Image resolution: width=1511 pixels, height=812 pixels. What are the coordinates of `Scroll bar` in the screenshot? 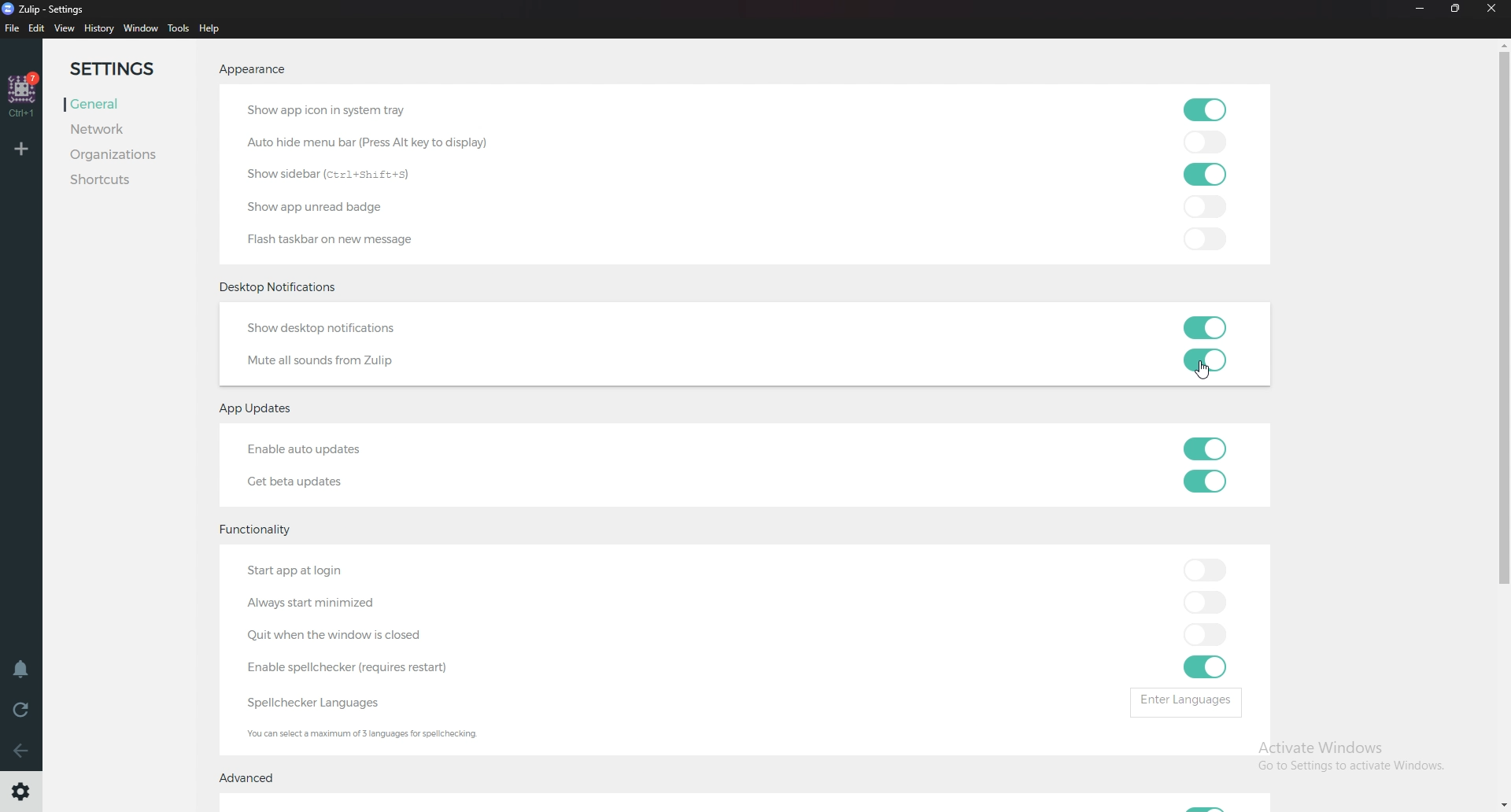 It's located at (1503, 424).